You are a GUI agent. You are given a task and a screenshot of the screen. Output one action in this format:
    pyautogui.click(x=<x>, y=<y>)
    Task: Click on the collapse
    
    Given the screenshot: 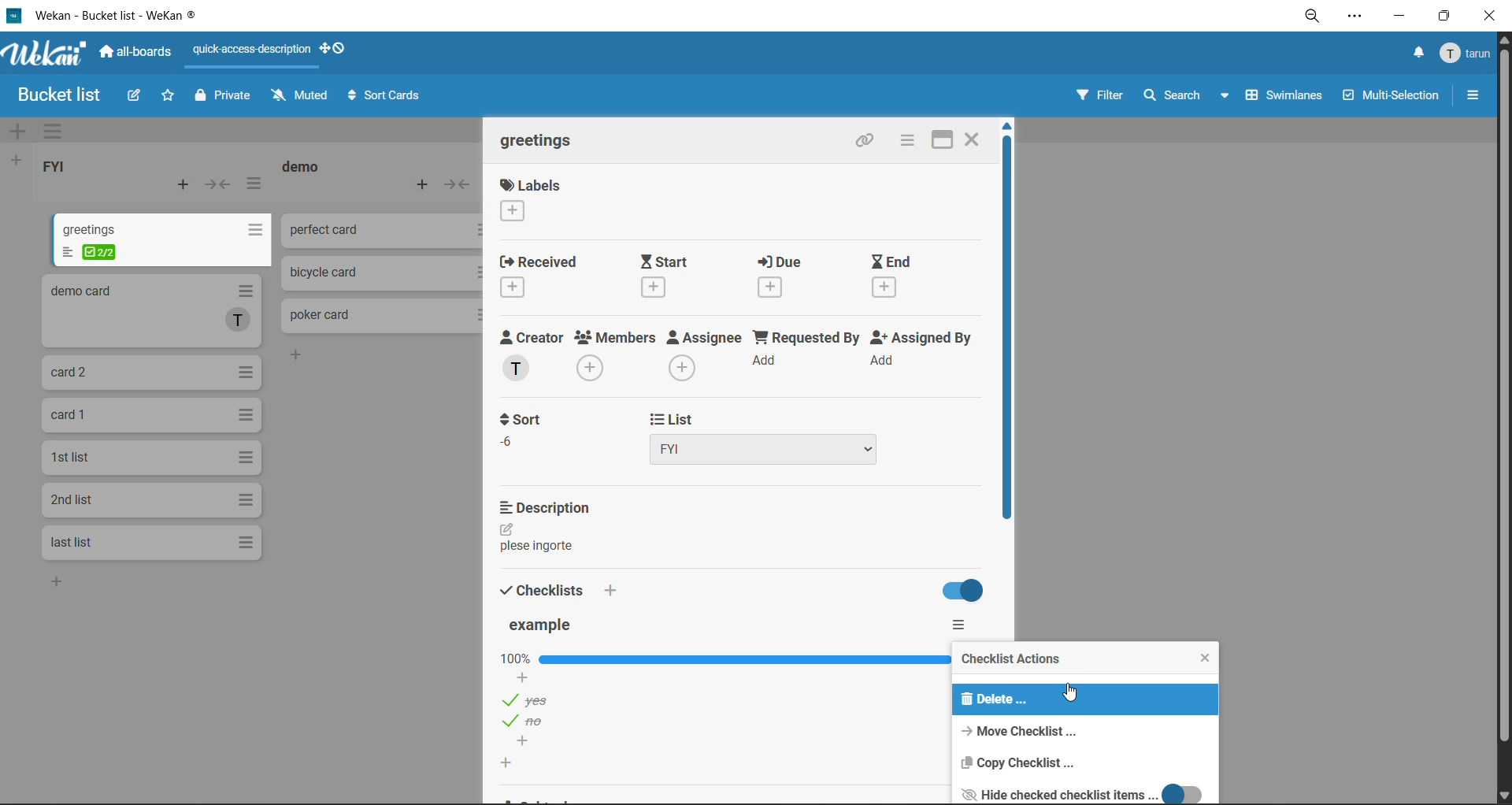 What is the action you would take?
    pyautogui.click(x=218, y=184)
    